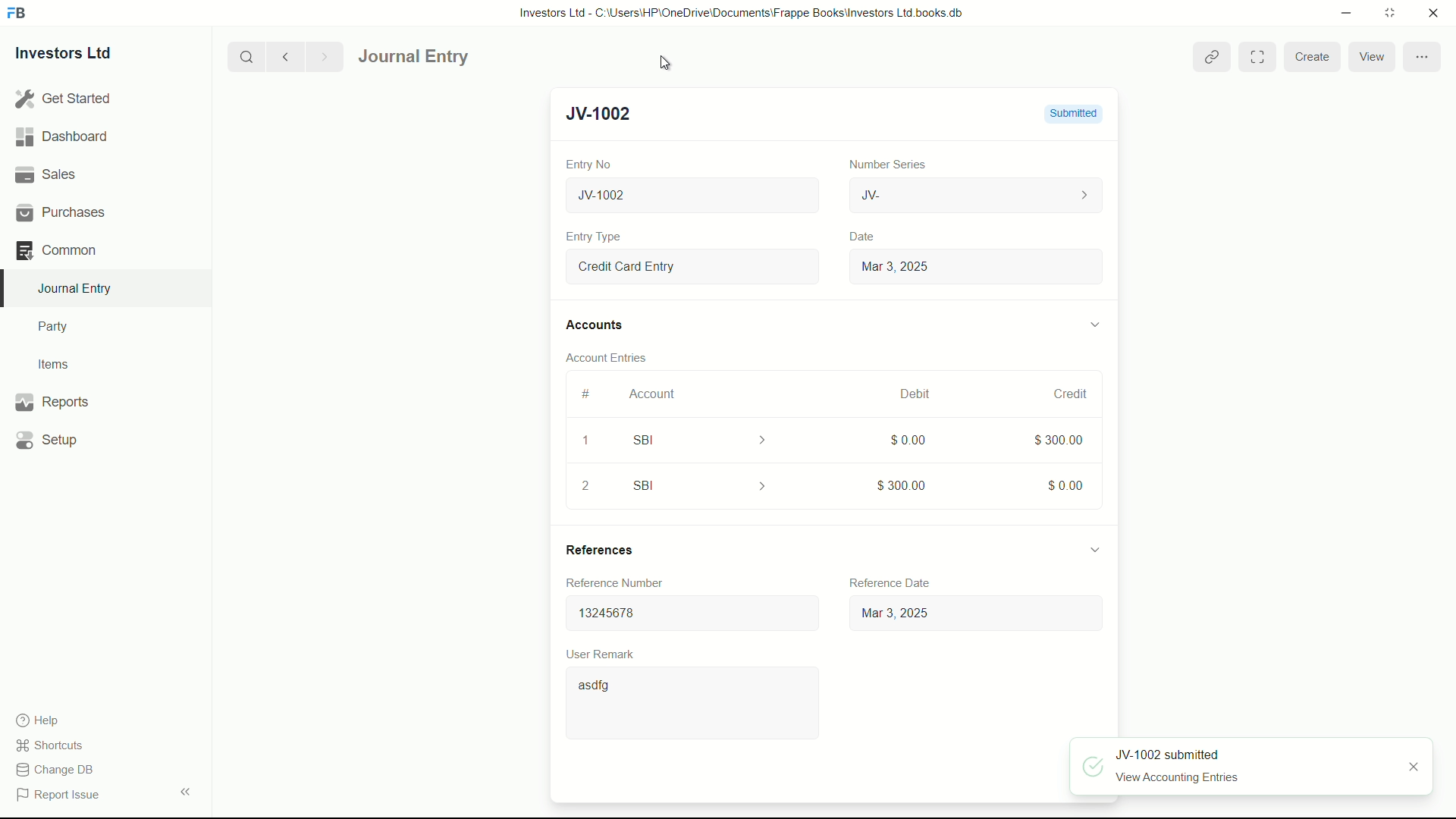 The width and height of the screenshot is (1456, 819). What do you see at coordinates (1171, 754) in the screenshot?
I see `JV-1002 submitted` at bounding box center [1171, 754].